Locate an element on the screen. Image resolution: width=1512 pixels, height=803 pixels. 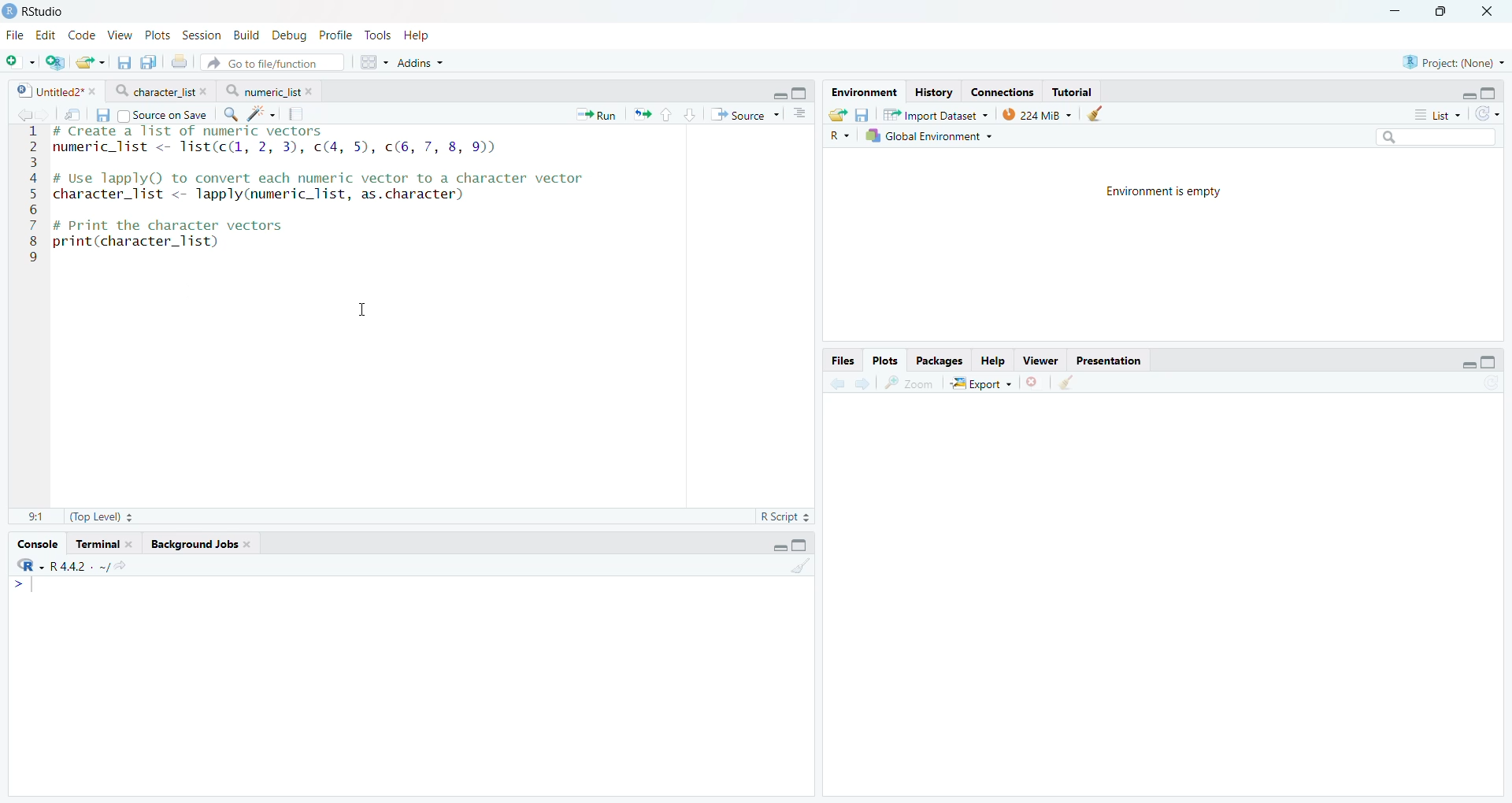
History is located at coordinates (934, 91).